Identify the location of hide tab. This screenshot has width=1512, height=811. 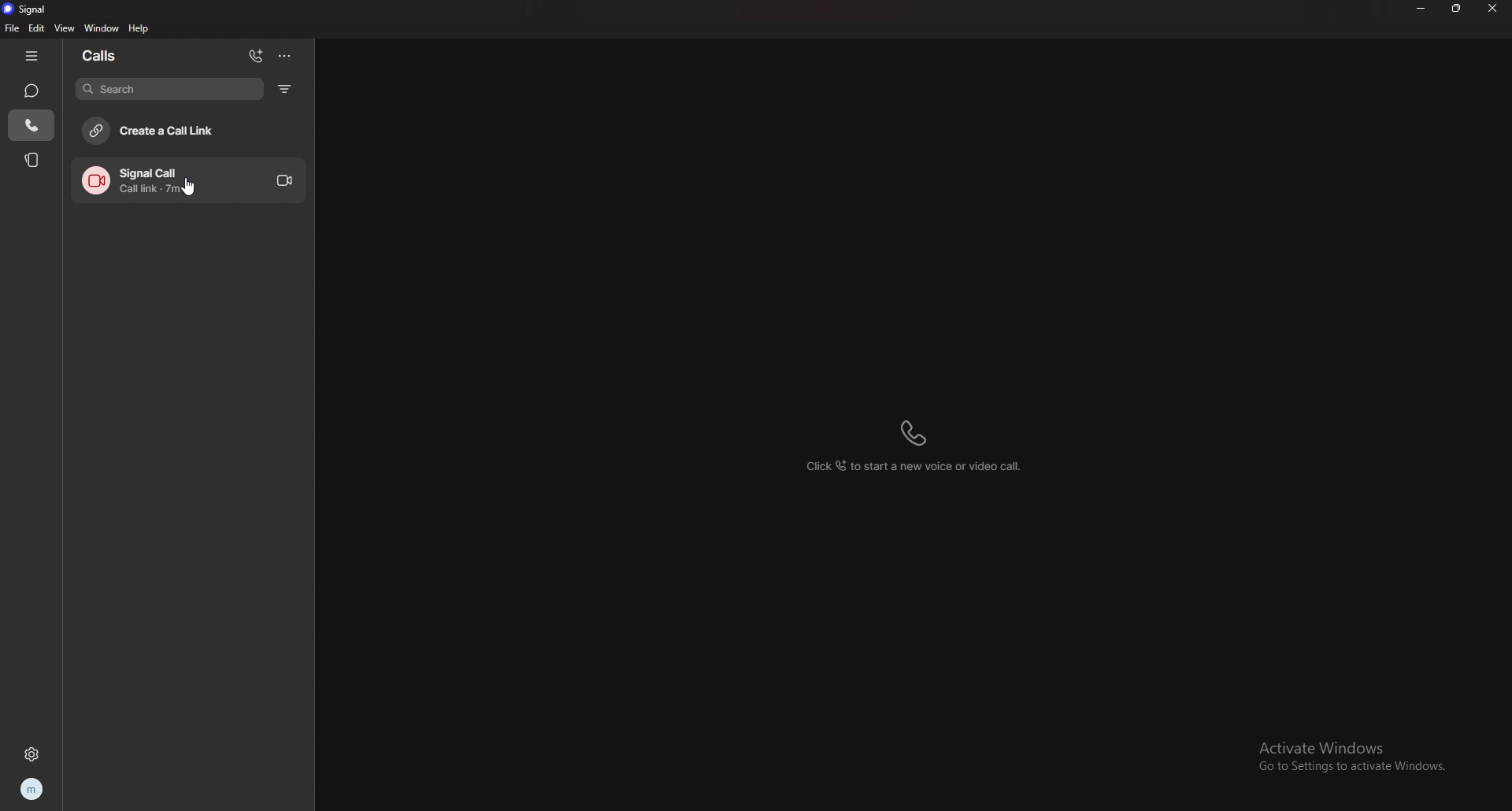
(35, 56).